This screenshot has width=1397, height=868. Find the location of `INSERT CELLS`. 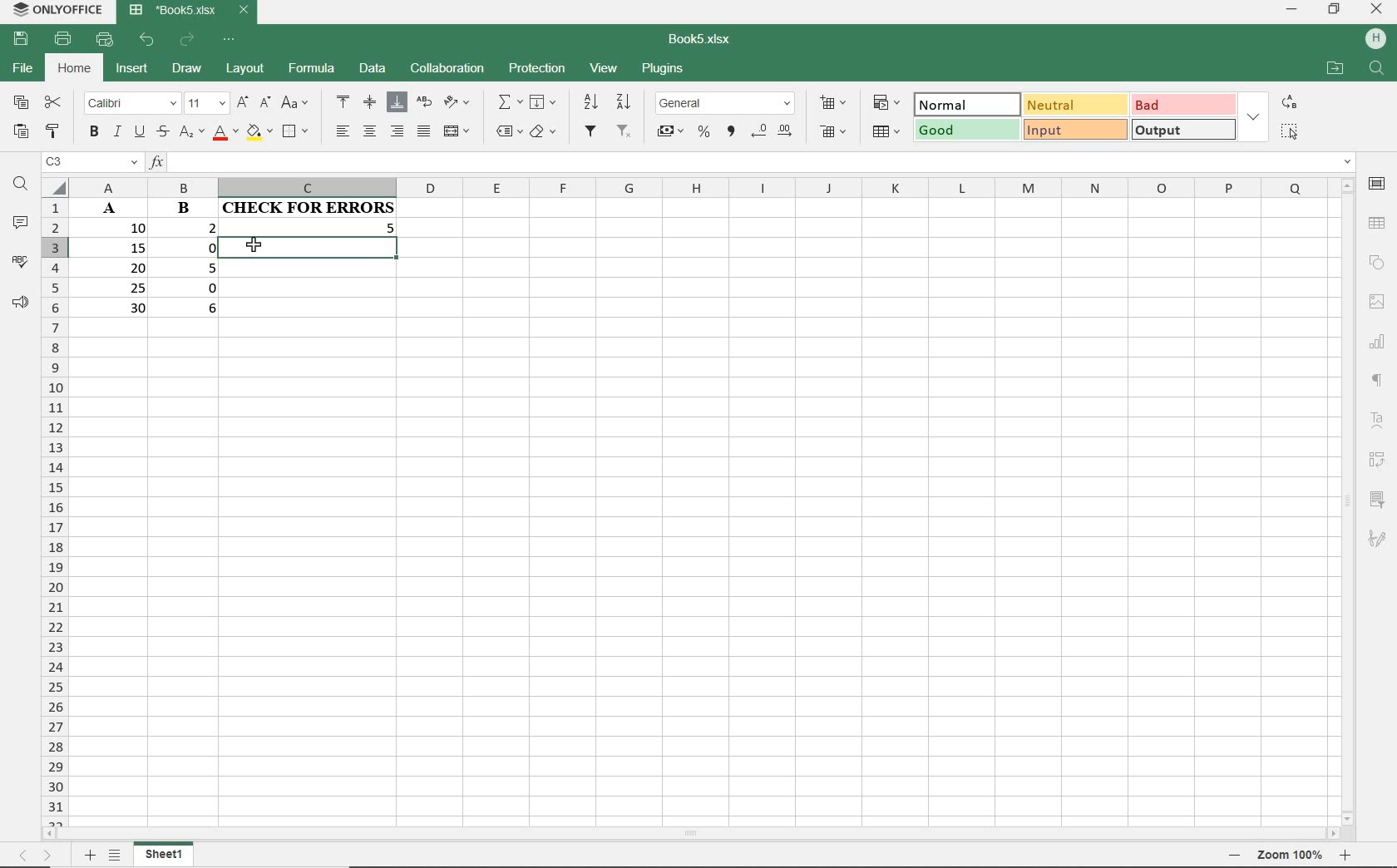

INSERT CELLS is located at coordinates (832, 103).